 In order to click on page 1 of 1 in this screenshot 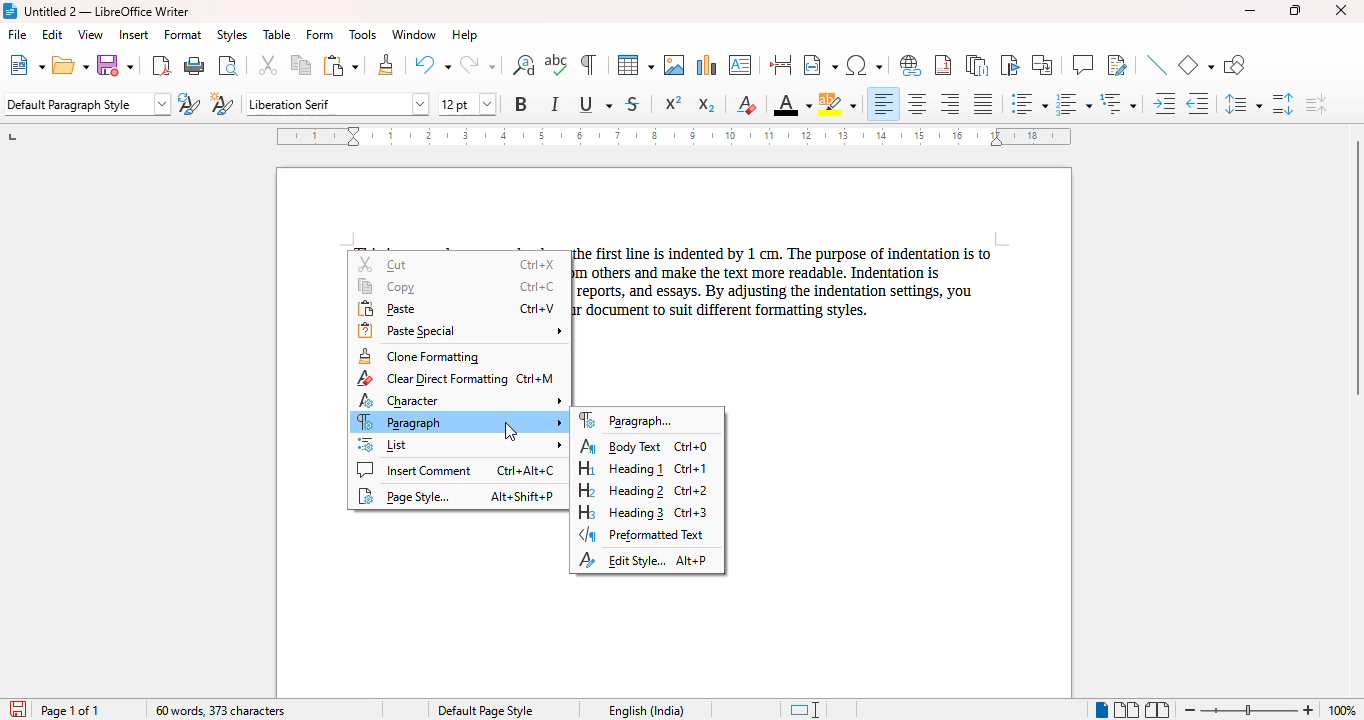, I will do `click(70, 711)`.